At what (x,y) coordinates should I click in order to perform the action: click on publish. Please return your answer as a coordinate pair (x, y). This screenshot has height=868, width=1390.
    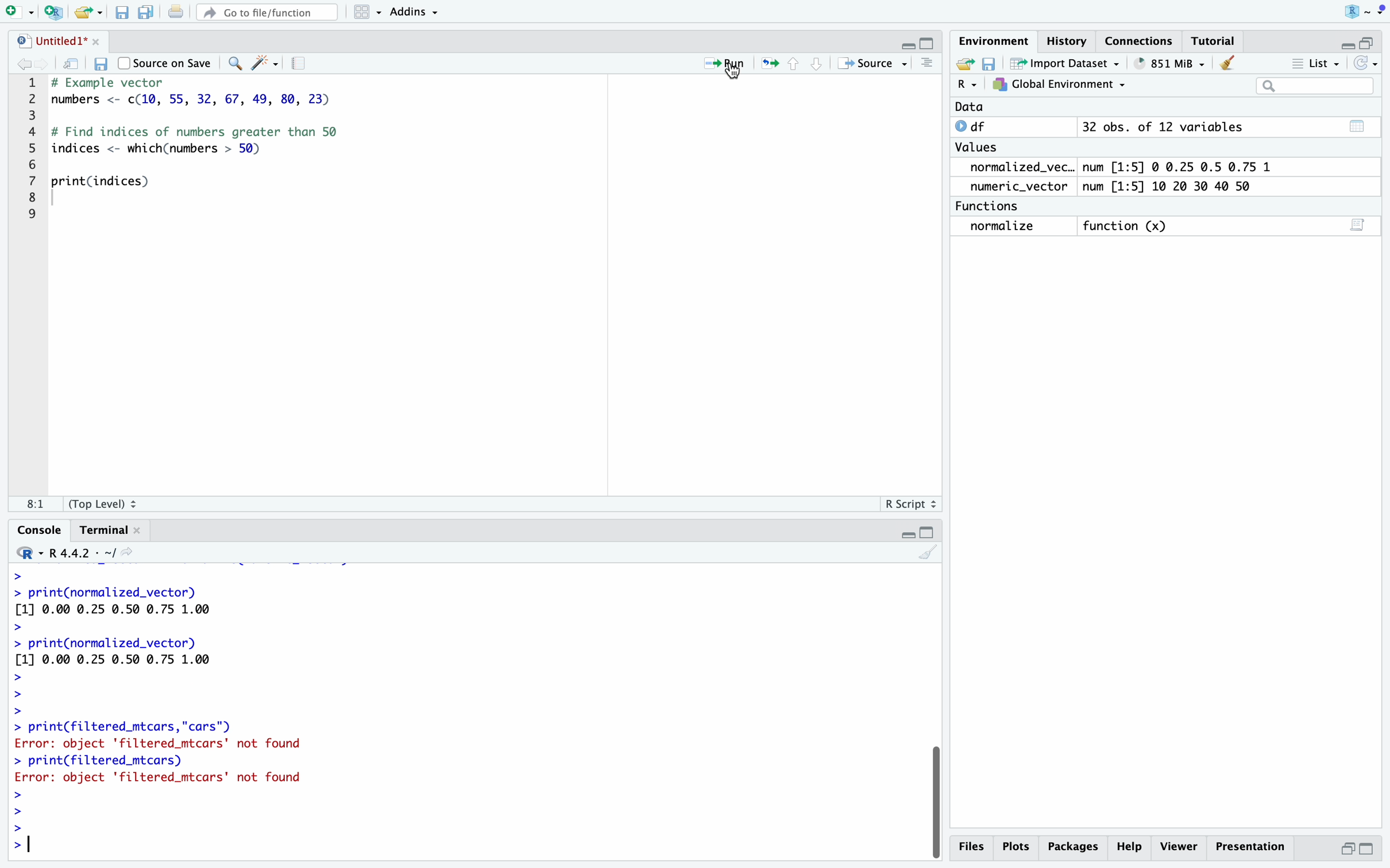
    Looking at the image, I should click on (771, 64).